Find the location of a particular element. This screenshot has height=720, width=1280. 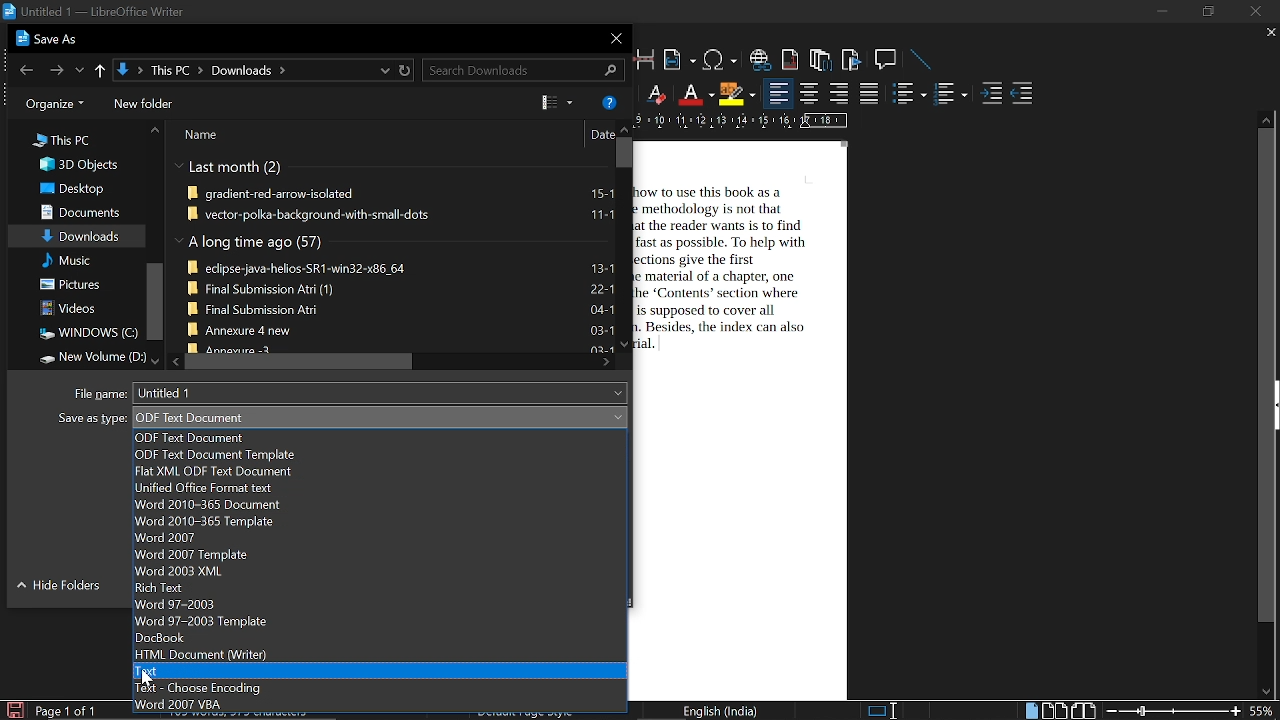

move left is located at coordinates (174, 362).